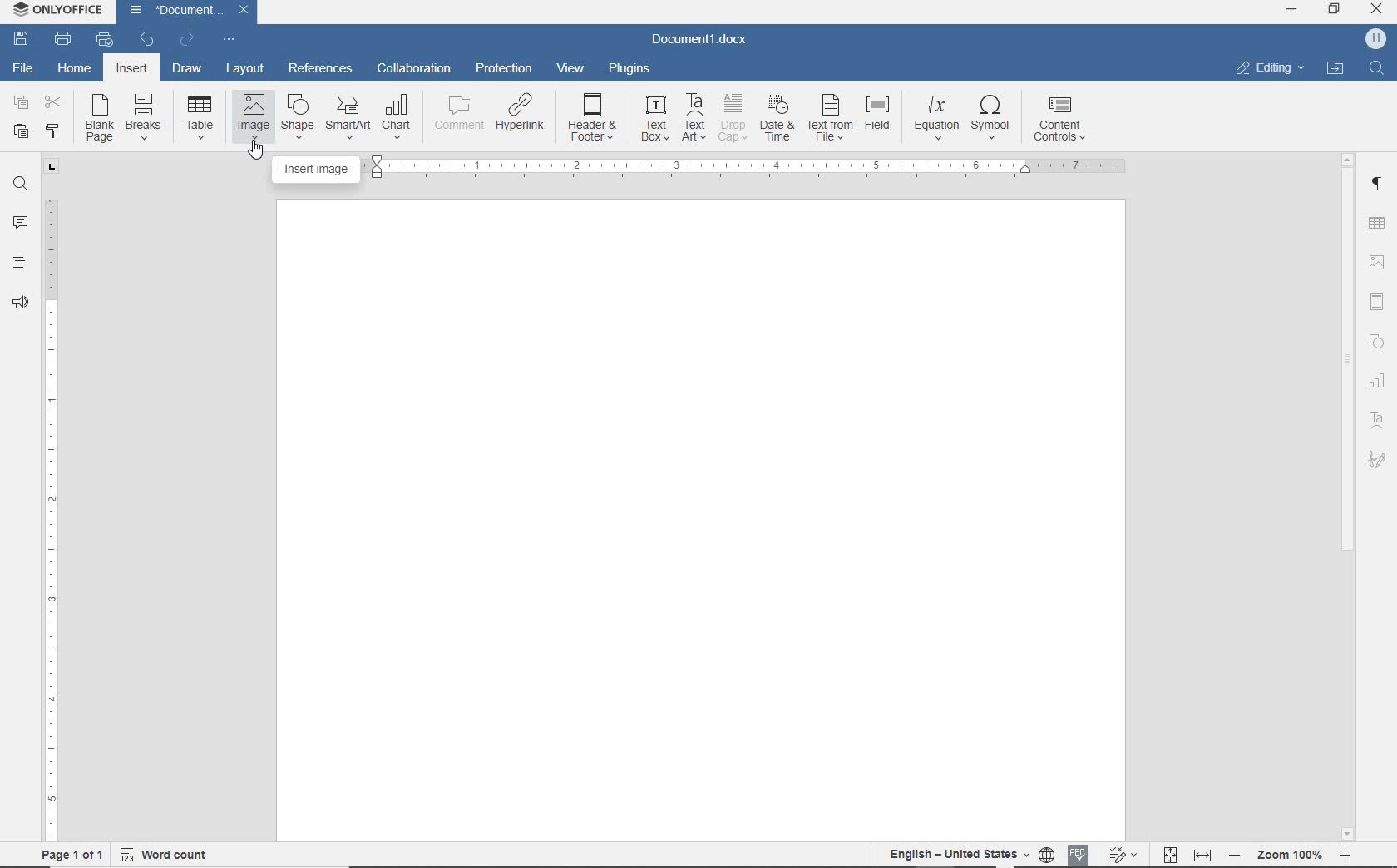 Image resolution: width=1397 pixels, height=868 pixels. What do you see at coordinates (146, 40) in the screenshot?
I see `undo` at bounding box center [146, 40].